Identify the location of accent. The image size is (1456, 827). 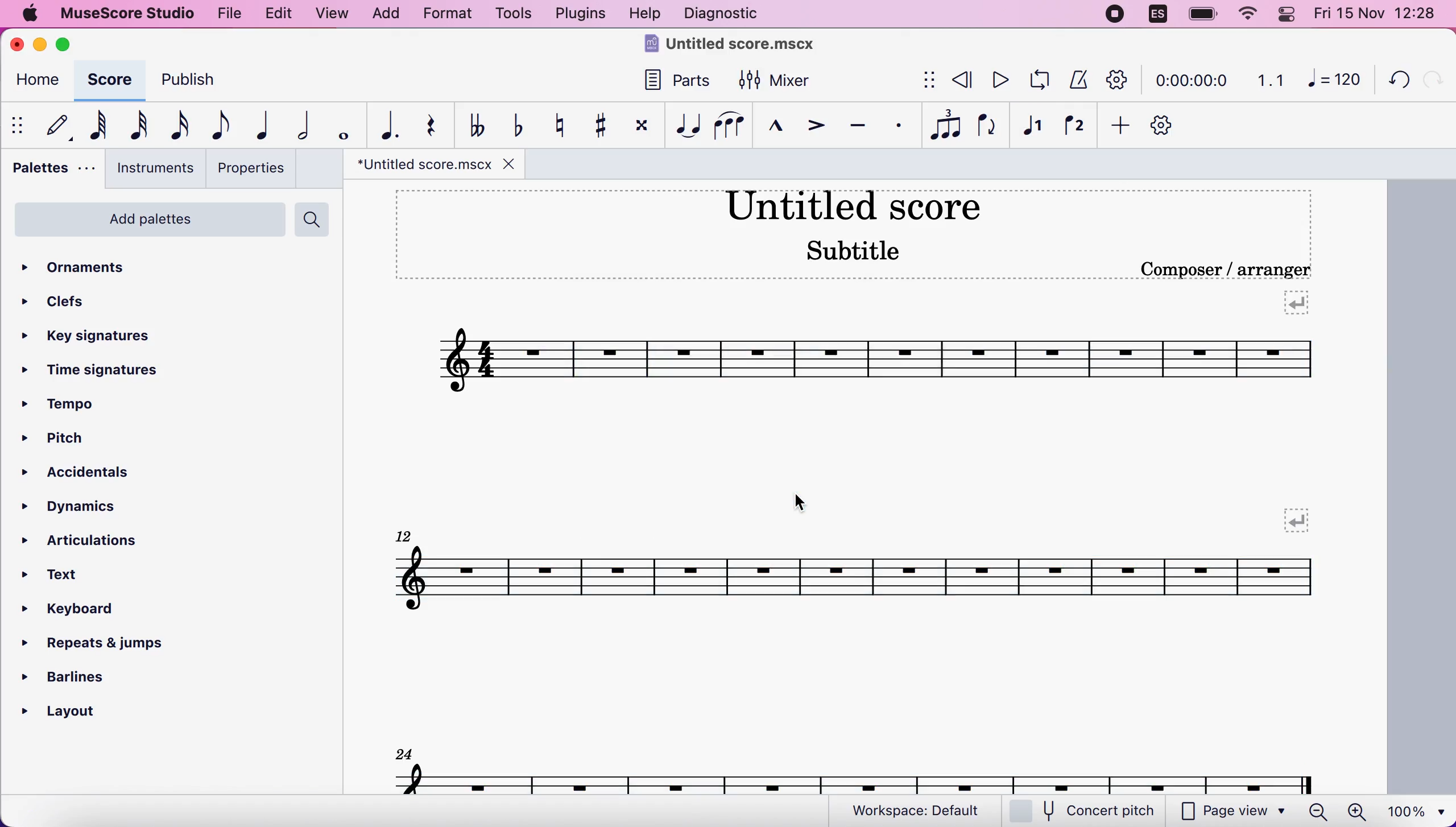
(810, 127).